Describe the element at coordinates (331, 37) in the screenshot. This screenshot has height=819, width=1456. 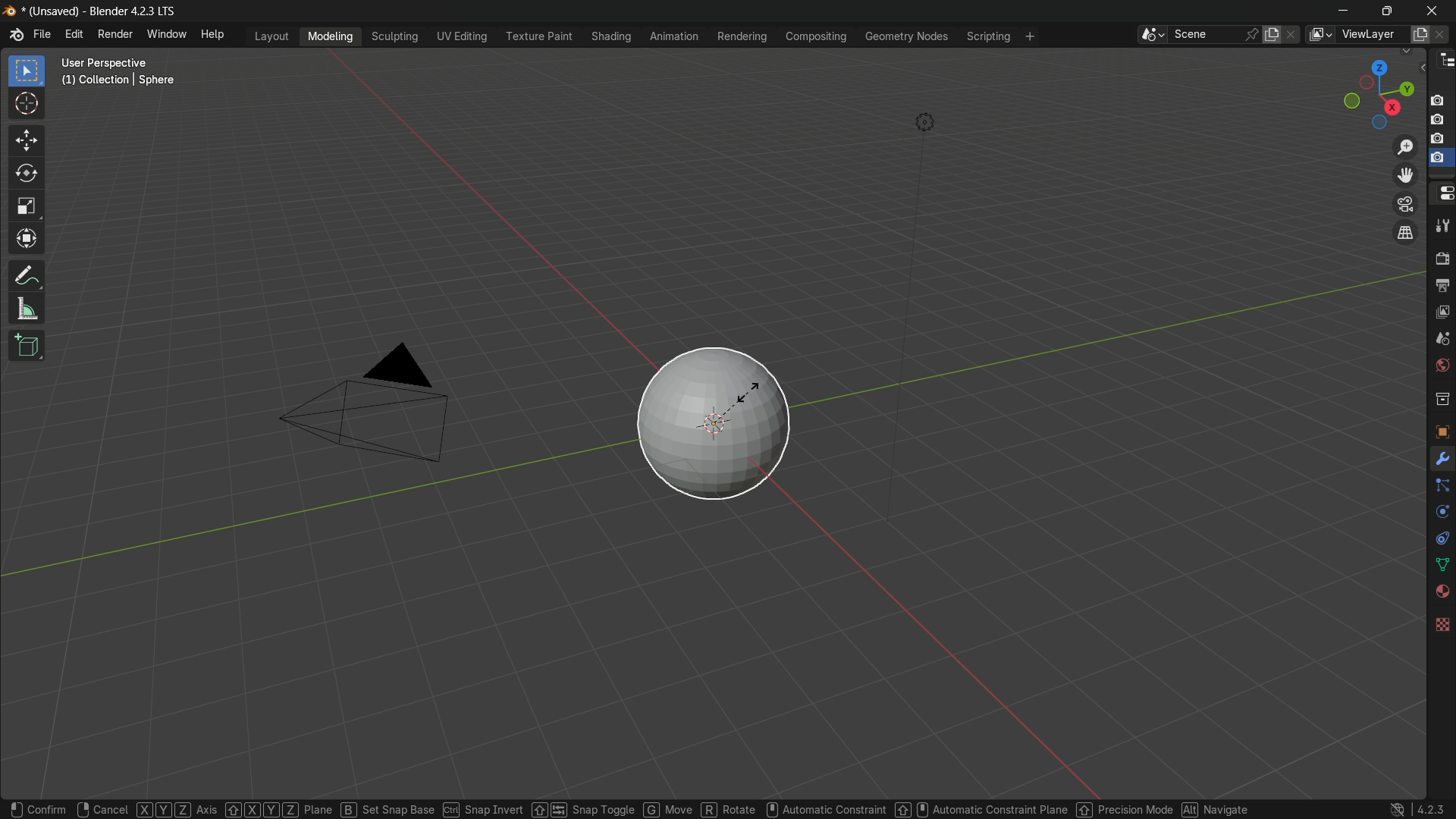
I see `modeling menu` at that location.